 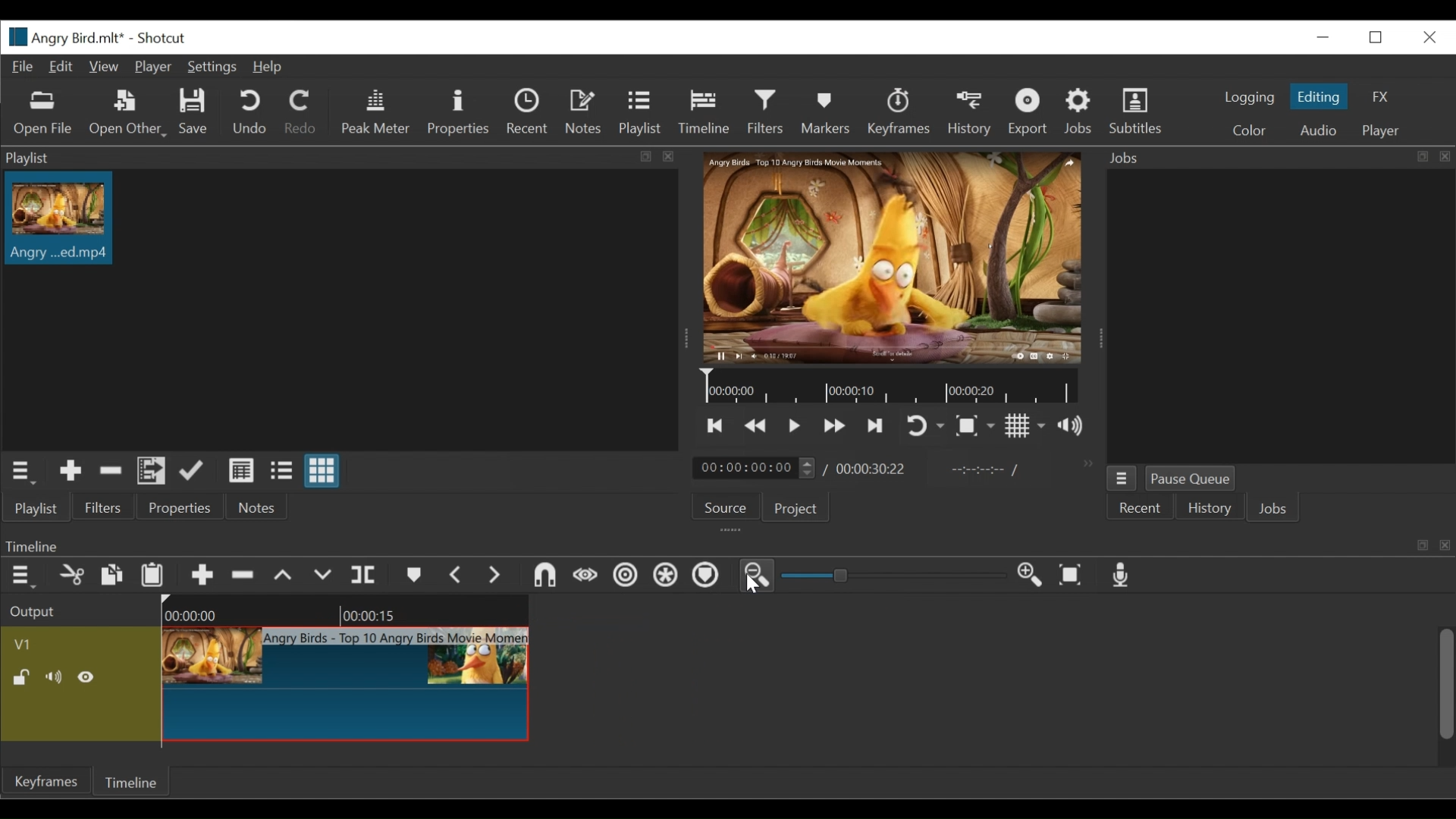 What do you see at coordinates (1122, 480) in the screenshot?
I see `Jobs Menu` at bounding box center [1122, 480].